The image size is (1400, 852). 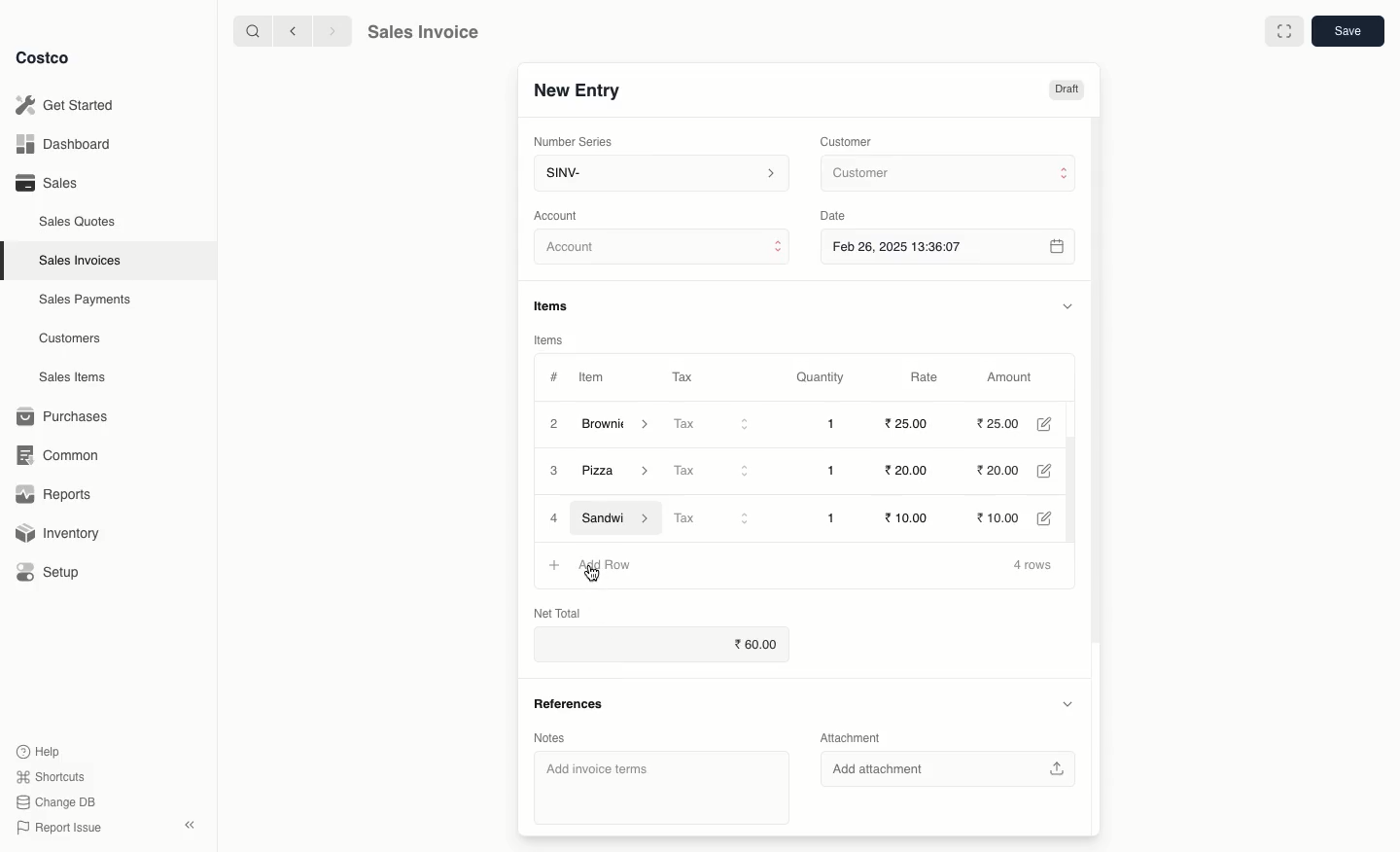 I want to click on Sales Invoices, so click(x=81, y=261).